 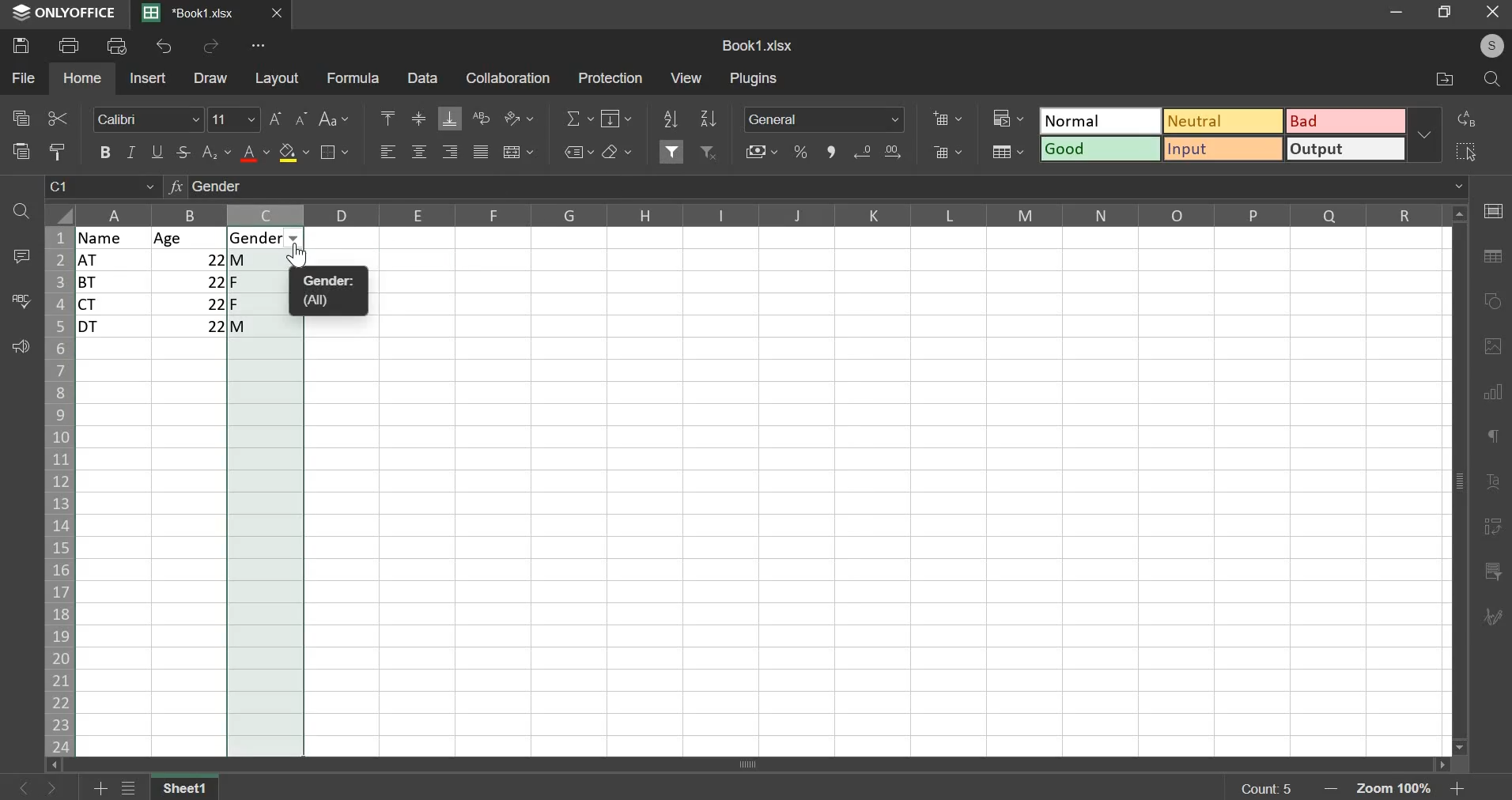 I want to click on 22, so click(x=191, y=304).